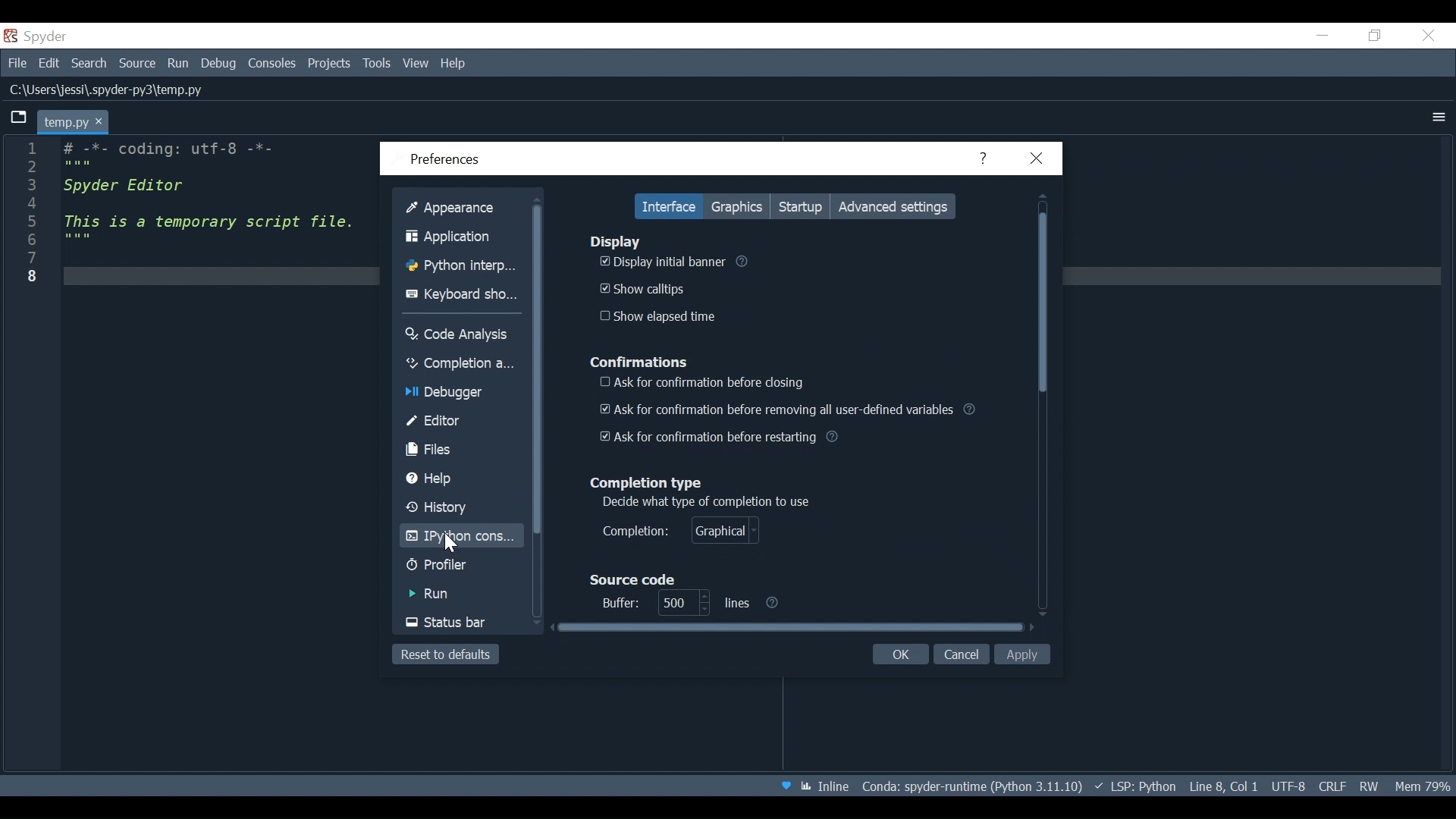 Image resolution: width=1456 pixels, height=819 pixels. I want to click on Source code, so click(633, 579).